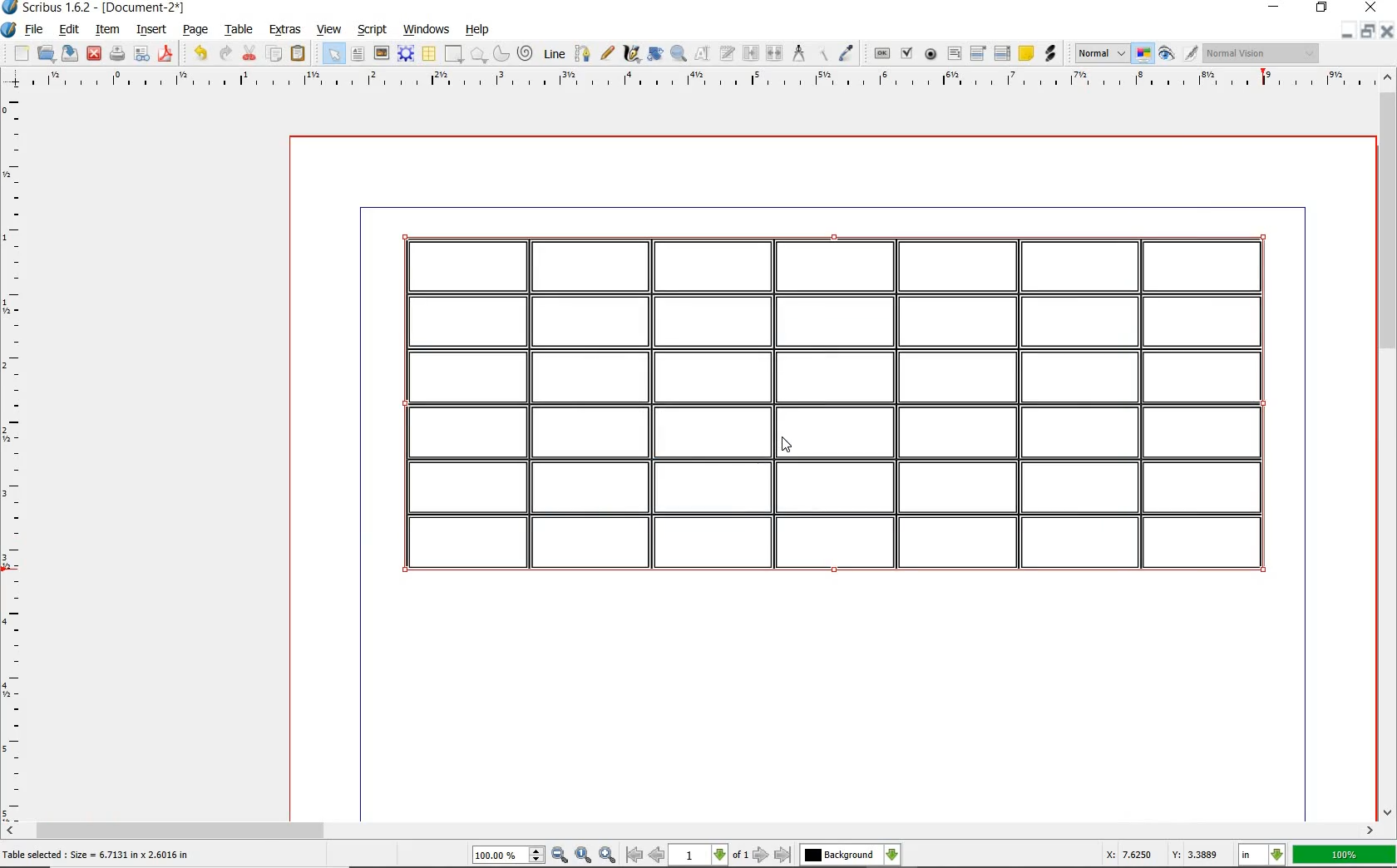 This screenshot has height=868, width=1397. Describe the element at coordinates (480, 32) in the screenshot. I see `help` at that location.